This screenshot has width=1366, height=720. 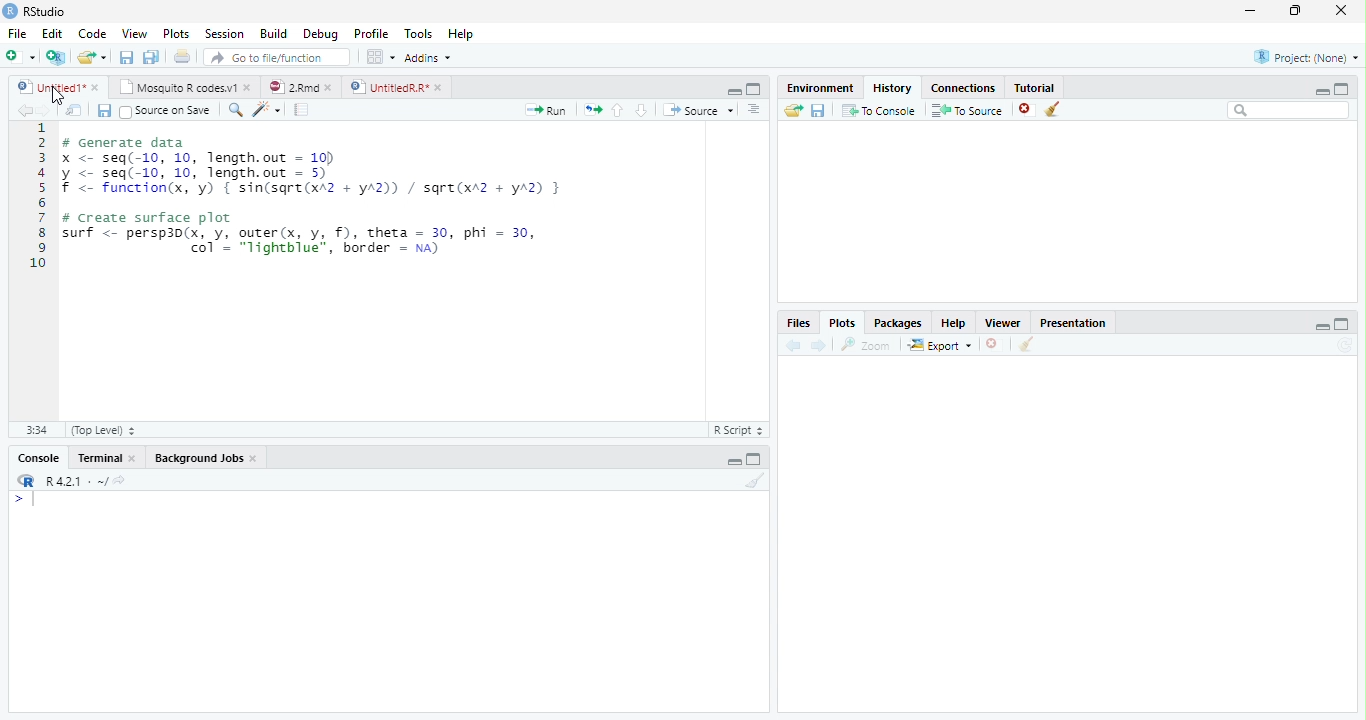 What do you see at coordinates (819, 345) in the screenshot?
I see `Next plot` at bounding box center [819, 345].